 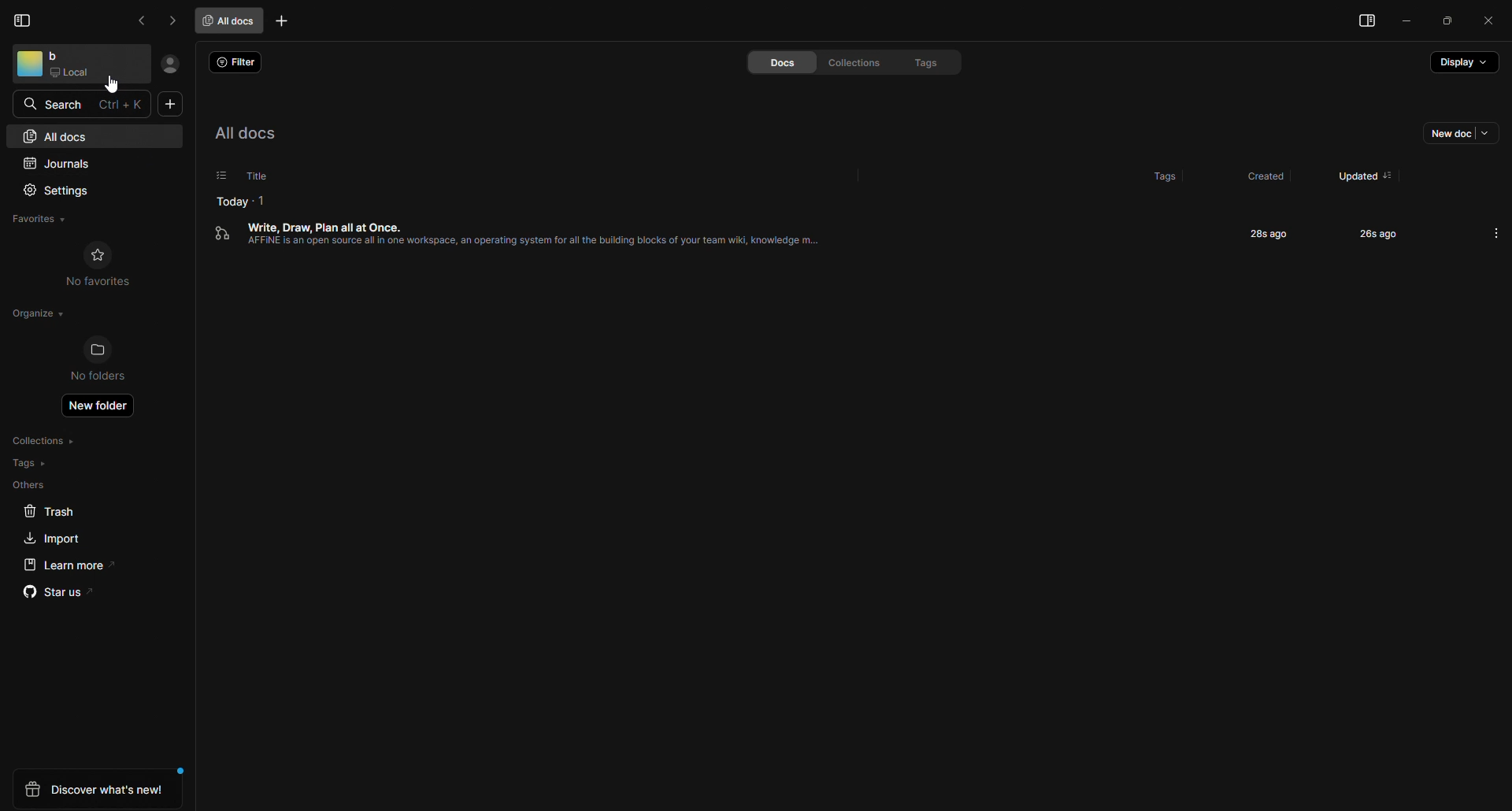 I want to click on more, so click(x=1496, y=232).